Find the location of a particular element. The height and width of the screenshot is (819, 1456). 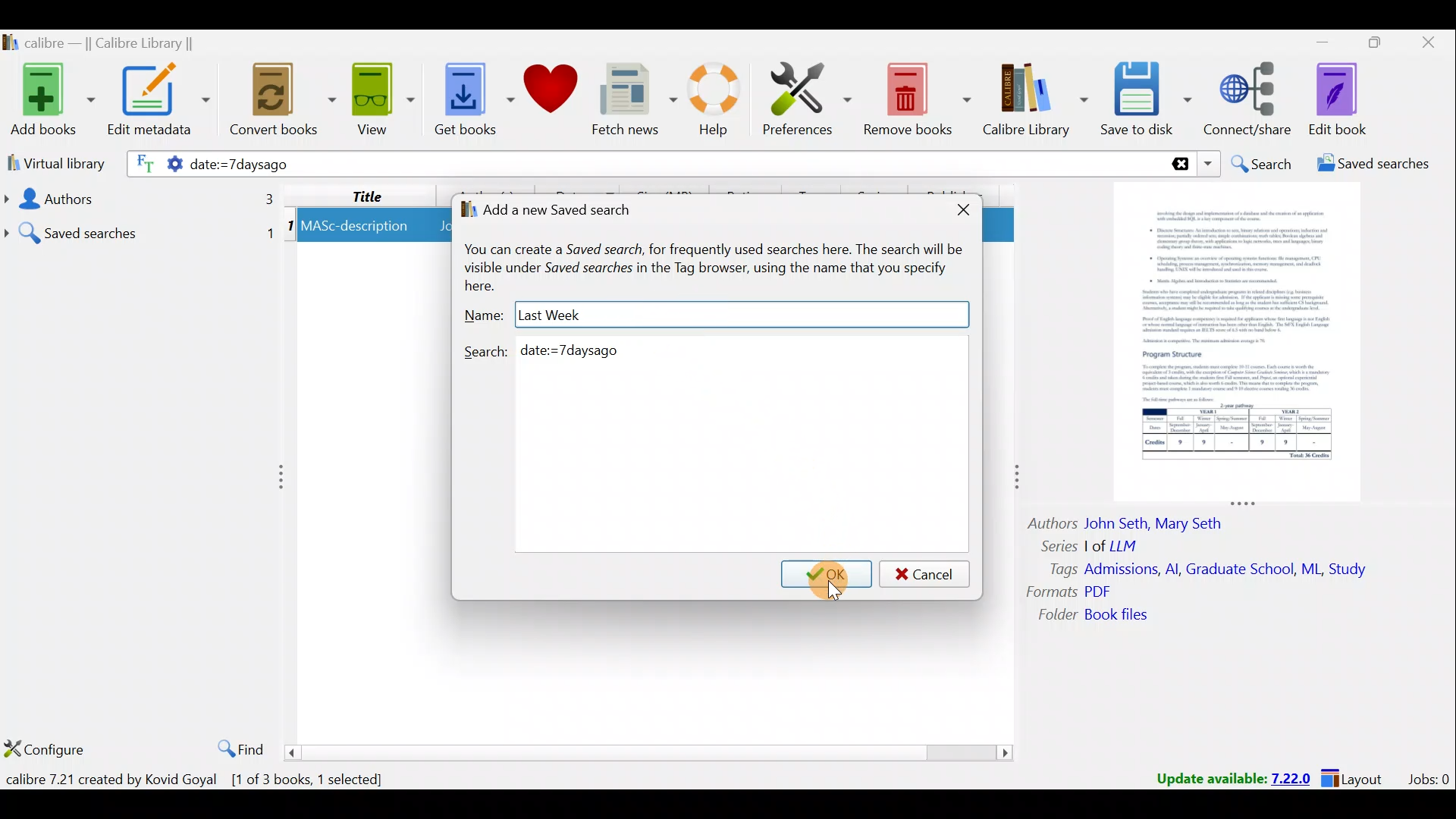

Formats PDF is located at coordinates (1069, 591).